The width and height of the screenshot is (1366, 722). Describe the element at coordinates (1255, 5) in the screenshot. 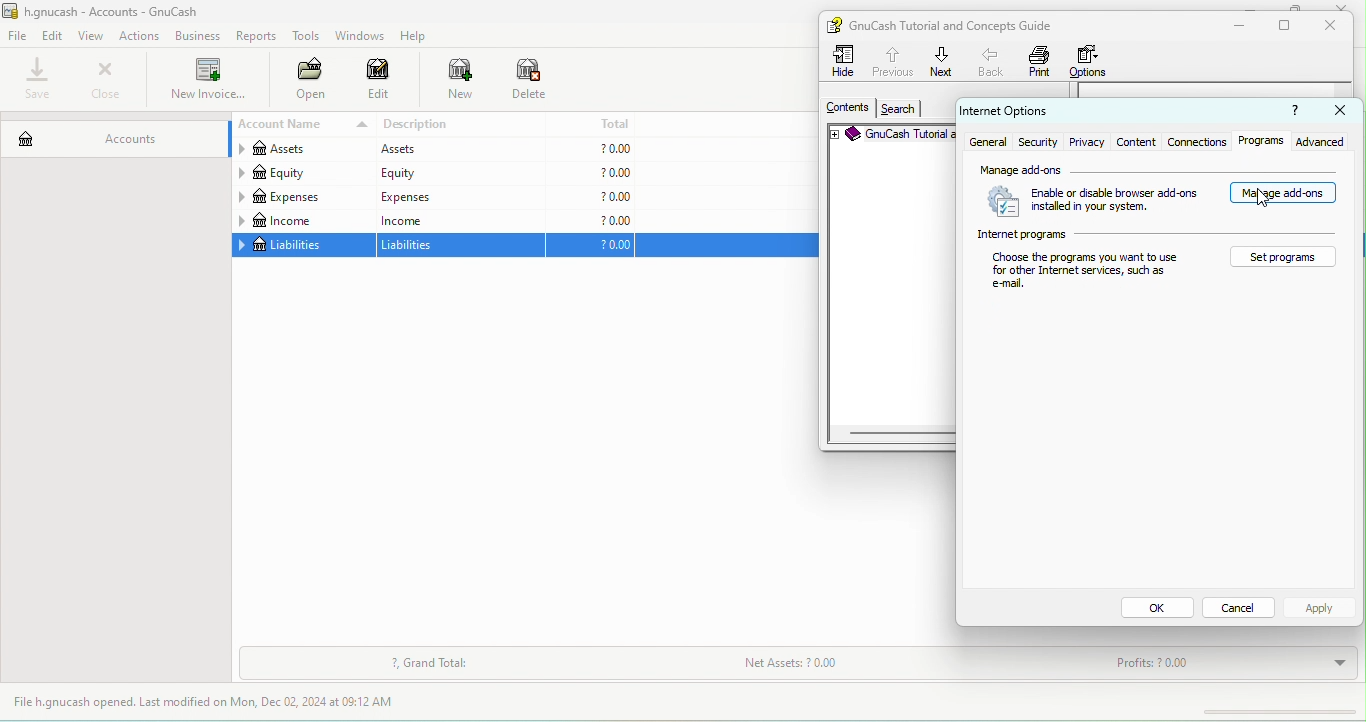

I see `minimize` at that location.